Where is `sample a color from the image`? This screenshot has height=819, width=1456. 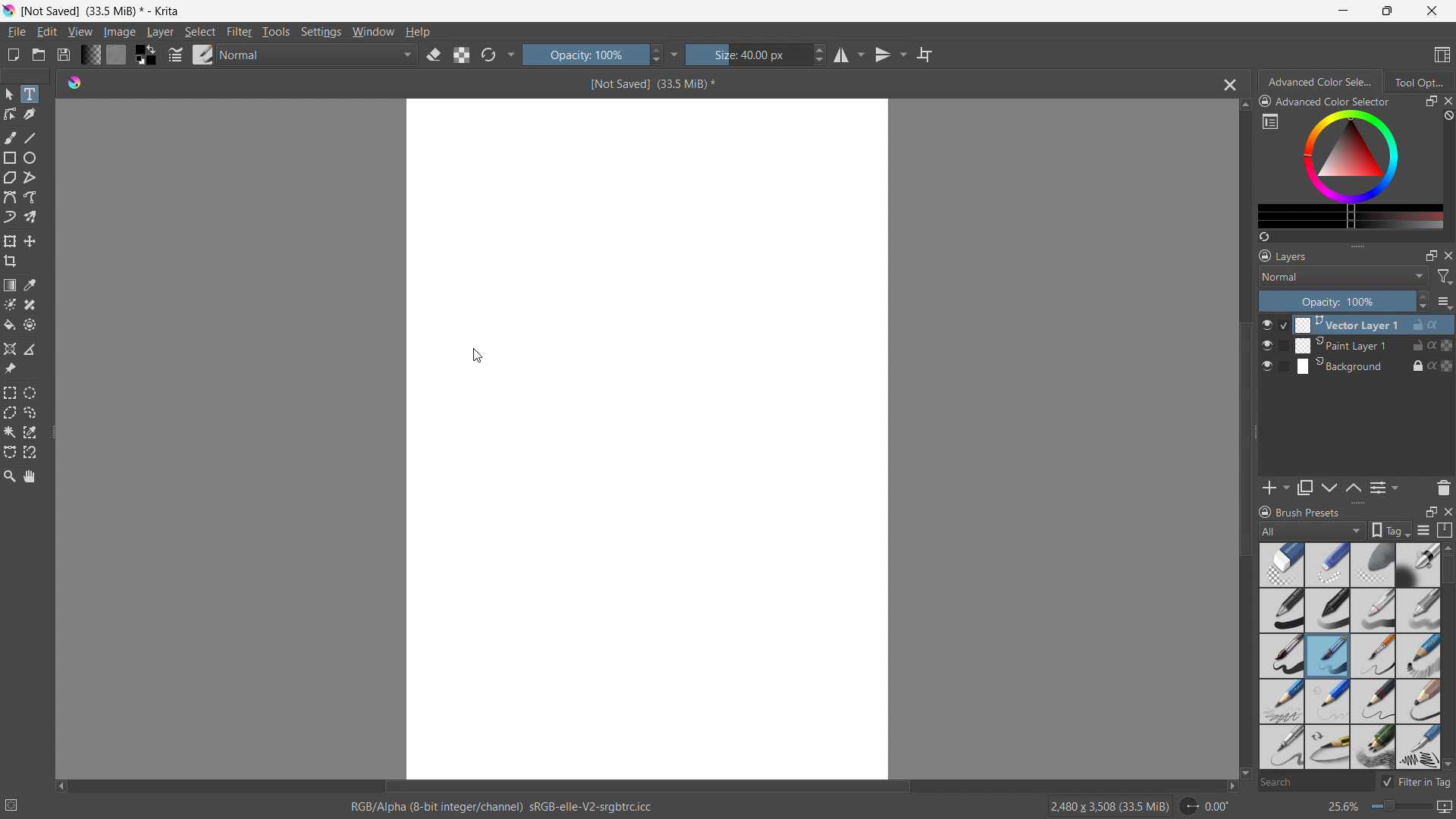
sample a color from the image is located at coordinates (30, 285).